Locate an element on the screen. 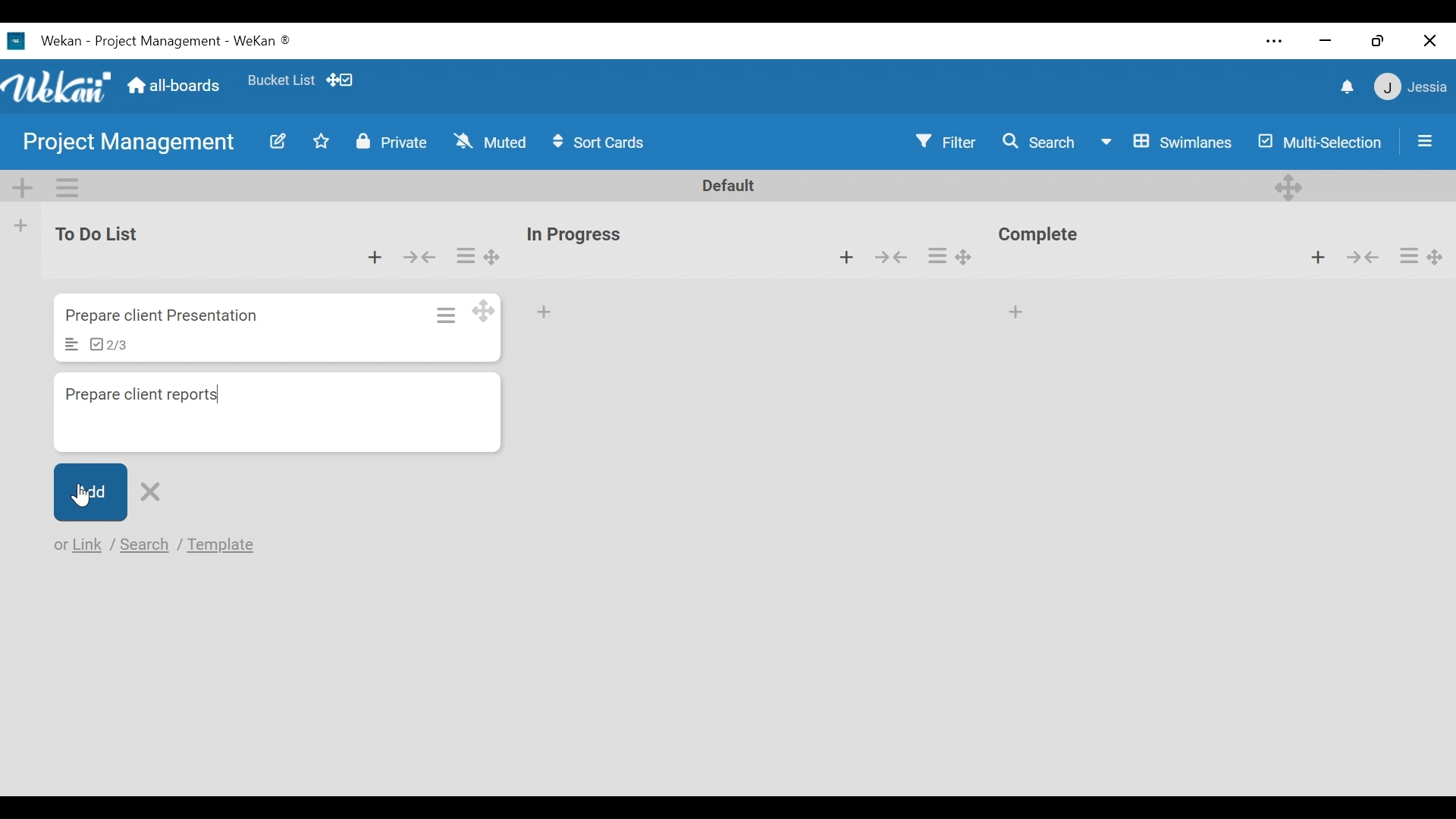  Project management is located at coordinates (122, 143).